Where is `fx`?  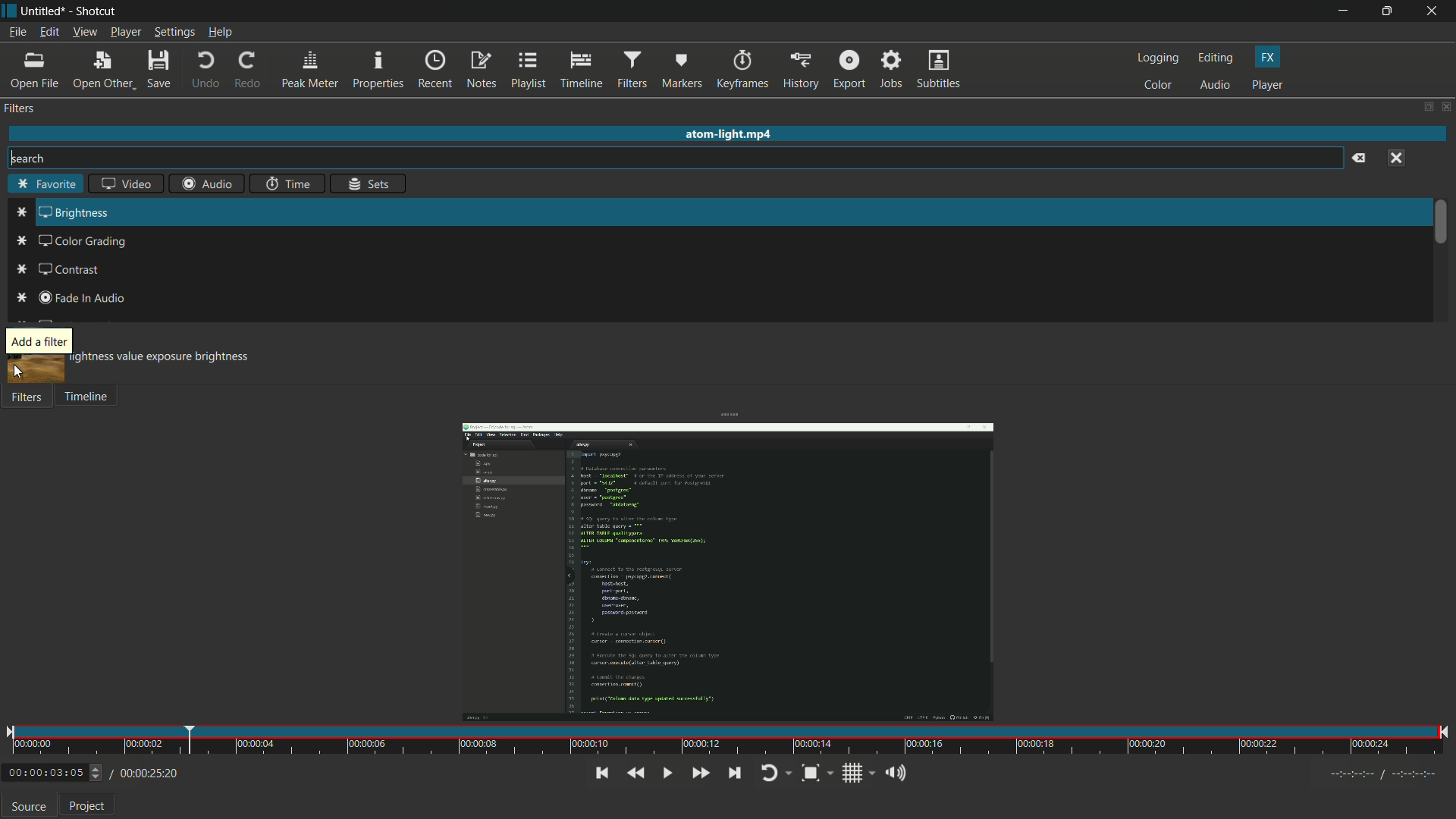 fx is located at coordinates (1267, 56).